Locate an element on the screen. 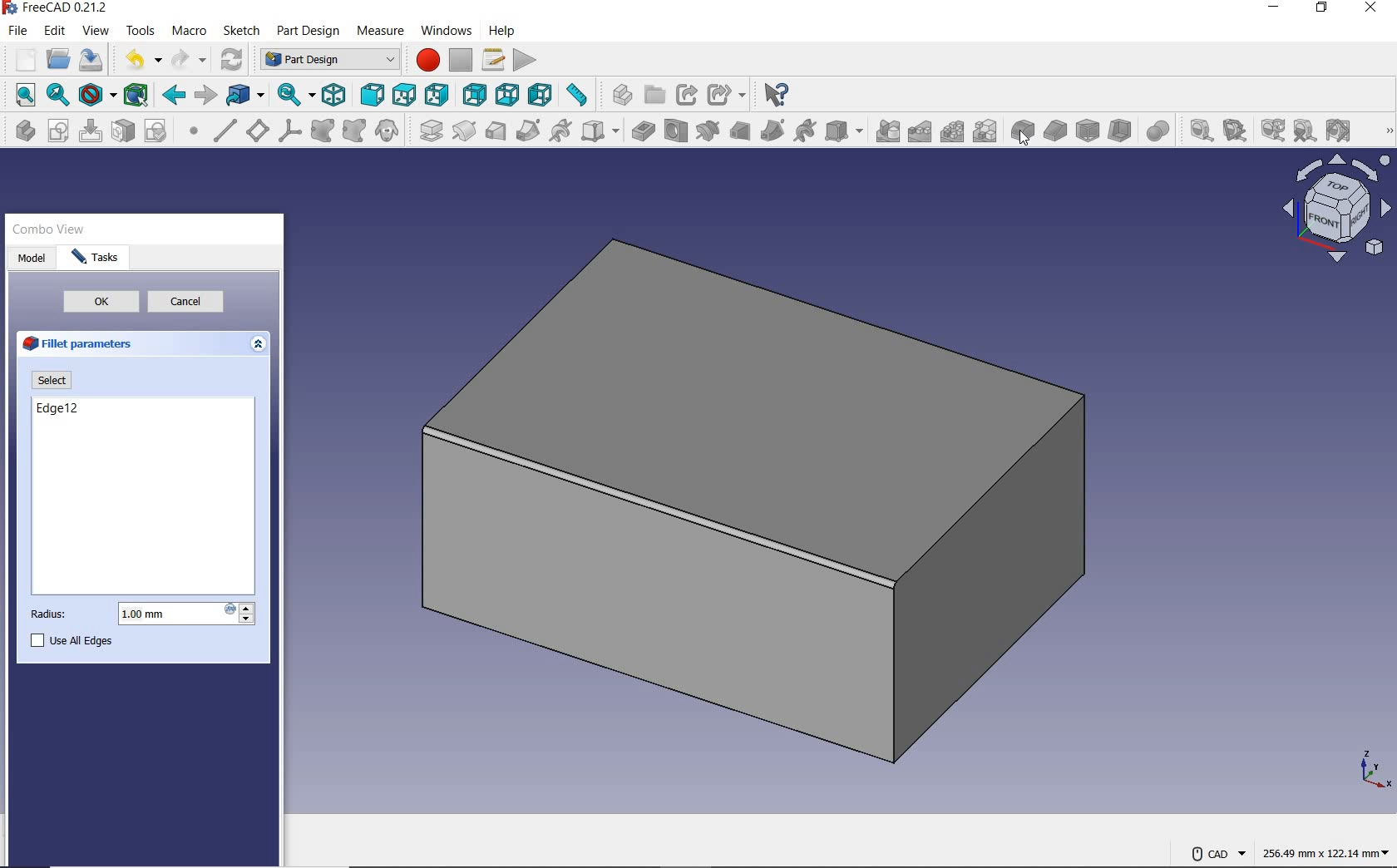 Image resolution: width=1397 pixels, height=868 pixels. task is located at coordinates (97, 259).